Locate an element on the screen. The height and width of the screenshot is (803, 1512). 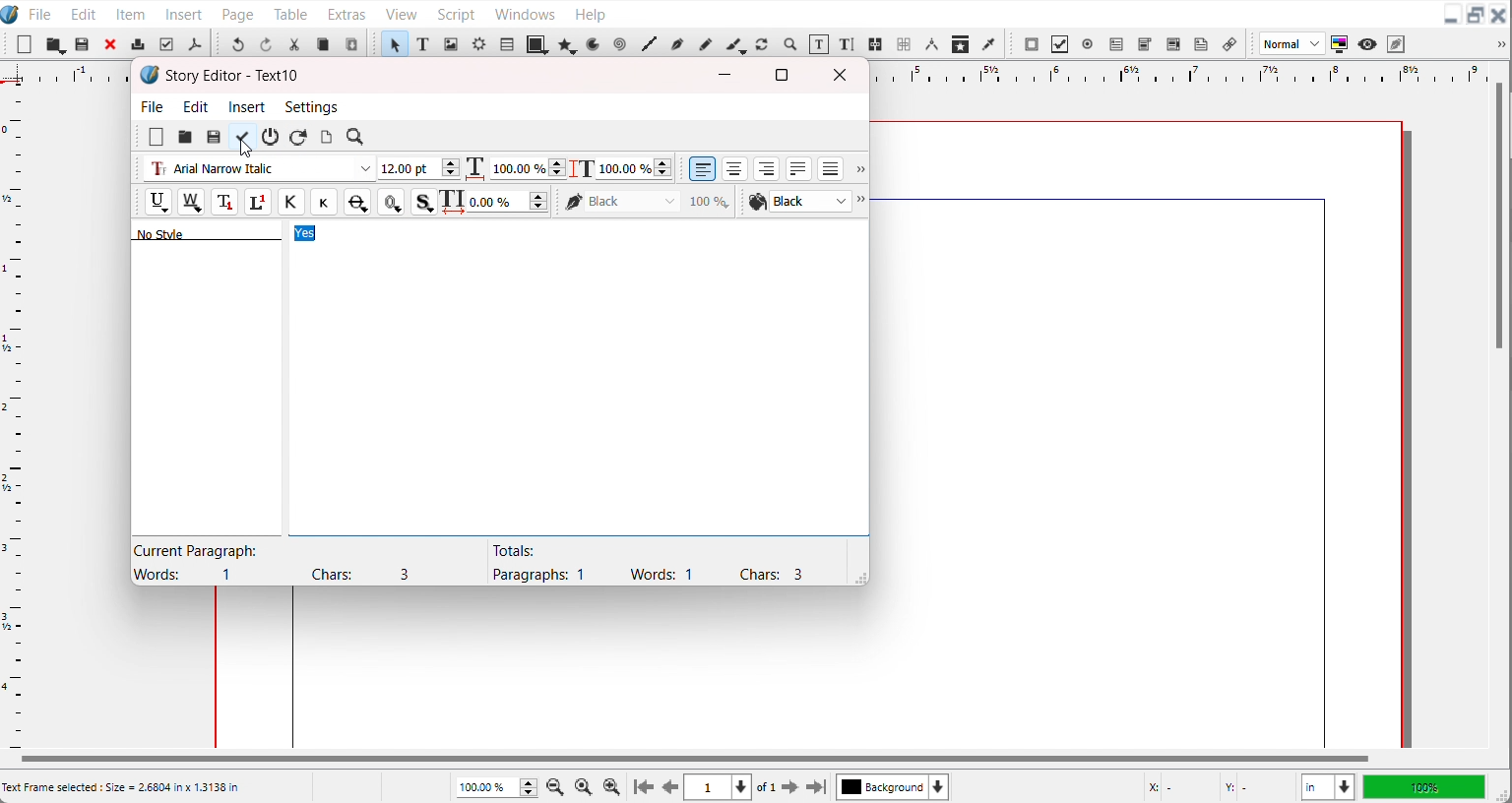
Table is located at coordinates (506, 43).